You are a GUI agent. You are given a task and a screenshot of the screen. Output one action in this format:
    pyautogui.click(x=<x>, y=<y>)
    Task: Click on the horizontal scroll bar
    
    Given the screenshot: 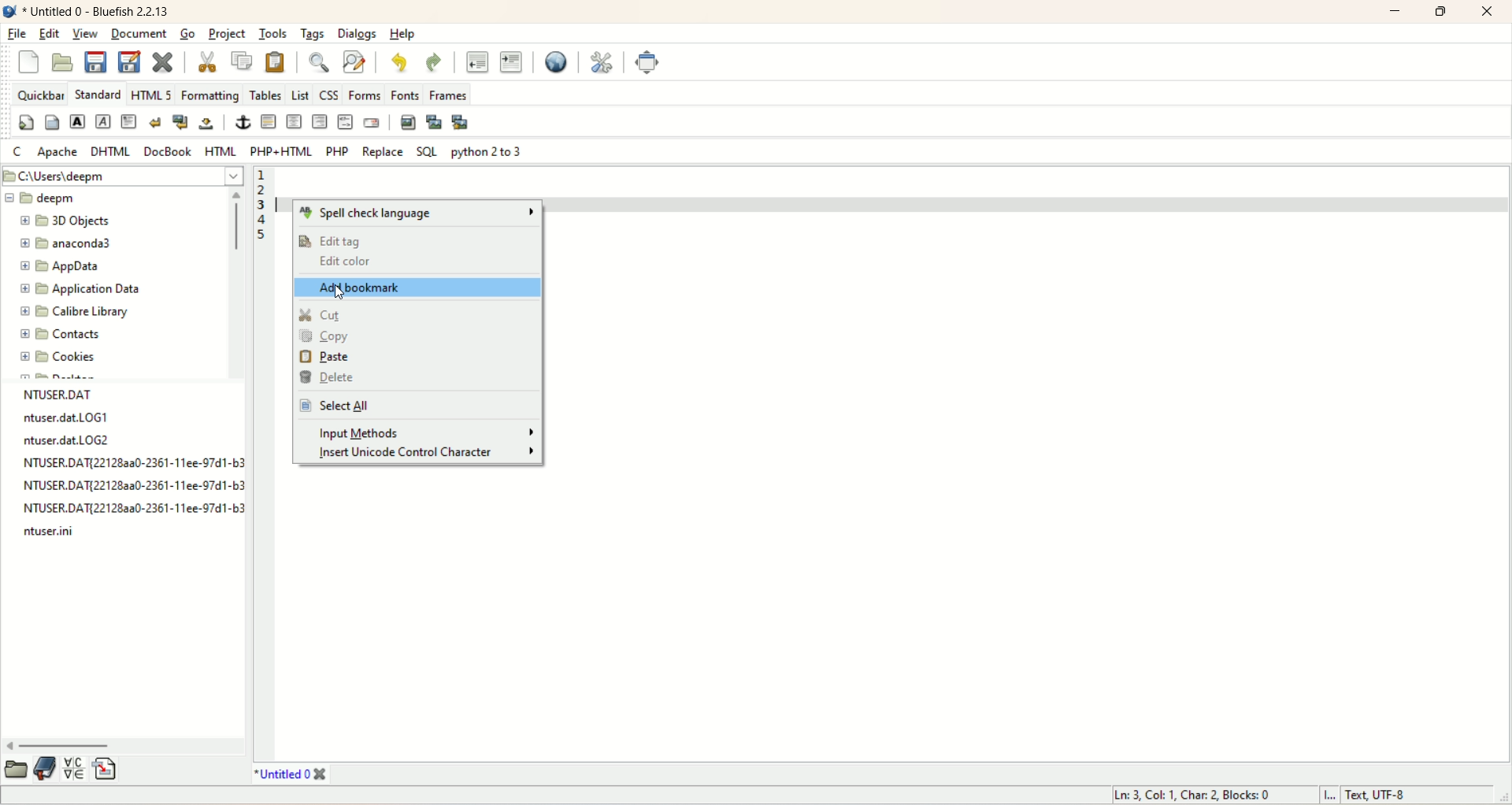 What is the action you would take?
    pyautogui.click(x=126, y=746)
    